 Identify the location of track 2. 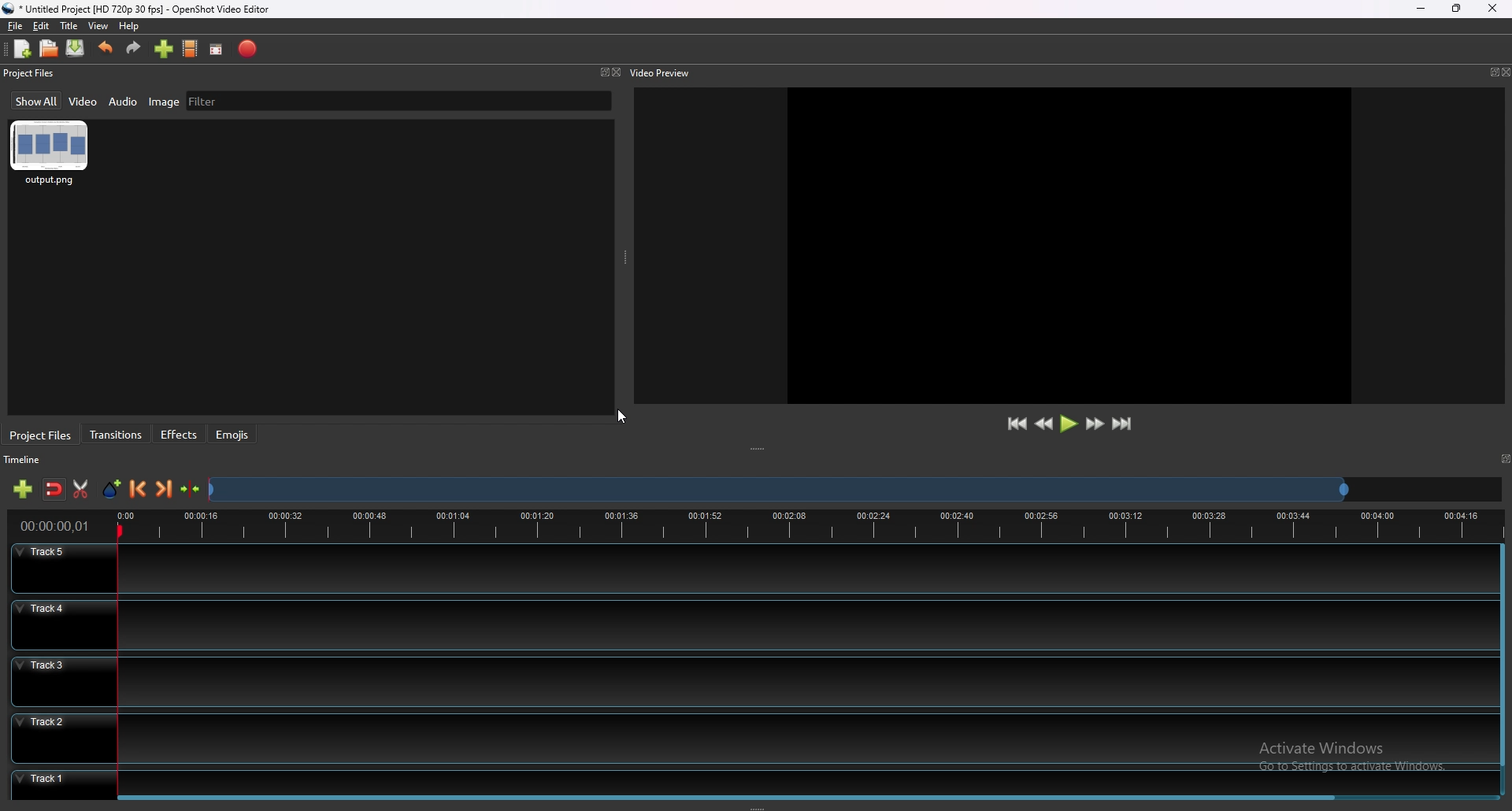
(750, 737).